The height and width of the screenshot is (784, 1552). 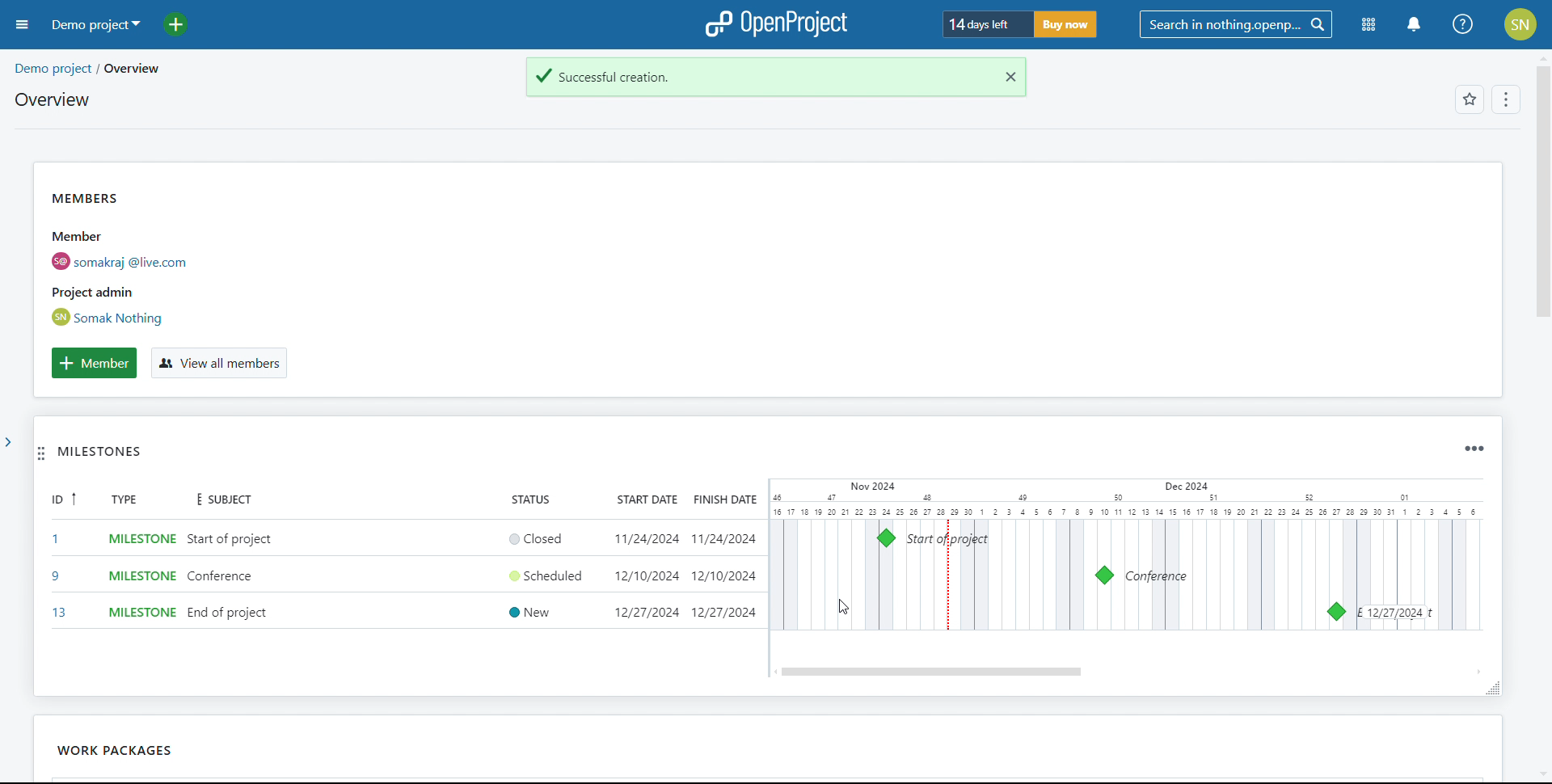 What do you see at coordinates (1235, 25) in the screenshot?
I see `search` at bounding box center [1235, 25].